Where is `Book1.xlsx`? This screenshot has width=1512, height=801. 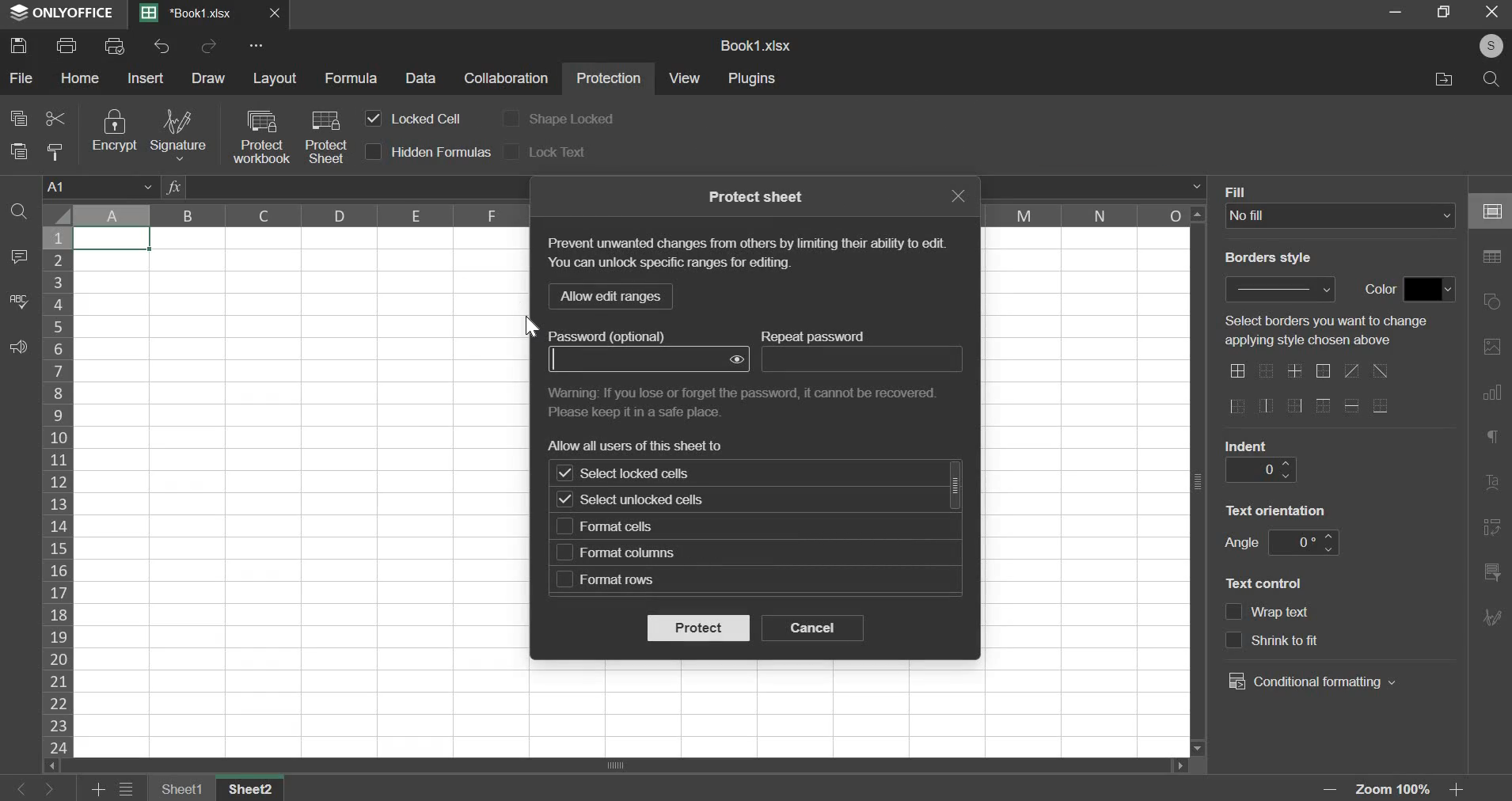 Book1.xlsx is located at coordinates (192, 14).